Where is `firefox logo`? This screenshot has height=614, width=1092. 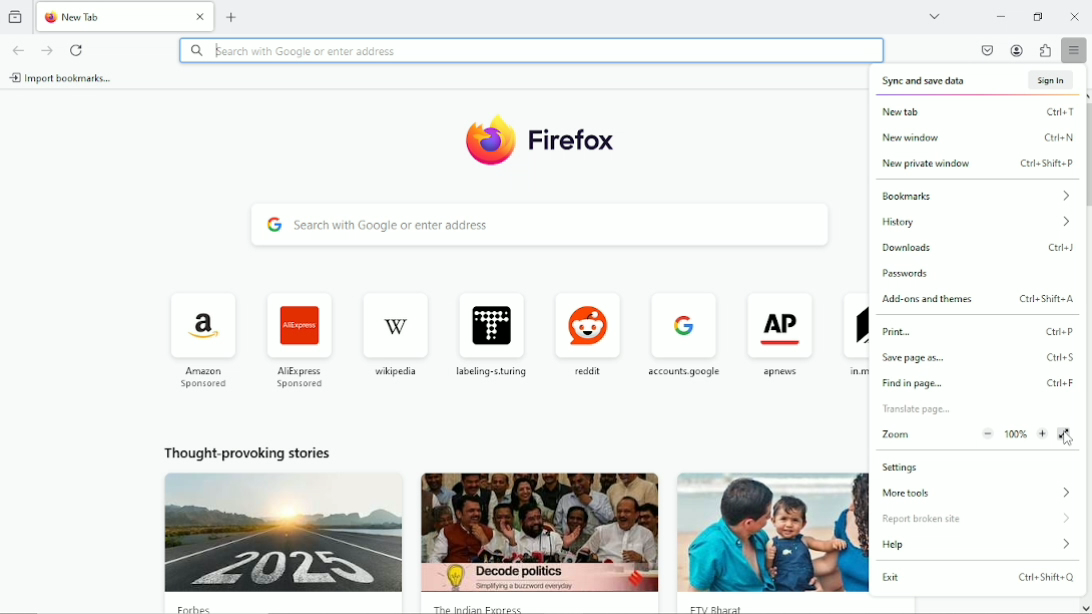 firefox logo is located at coordinates (50, 19).